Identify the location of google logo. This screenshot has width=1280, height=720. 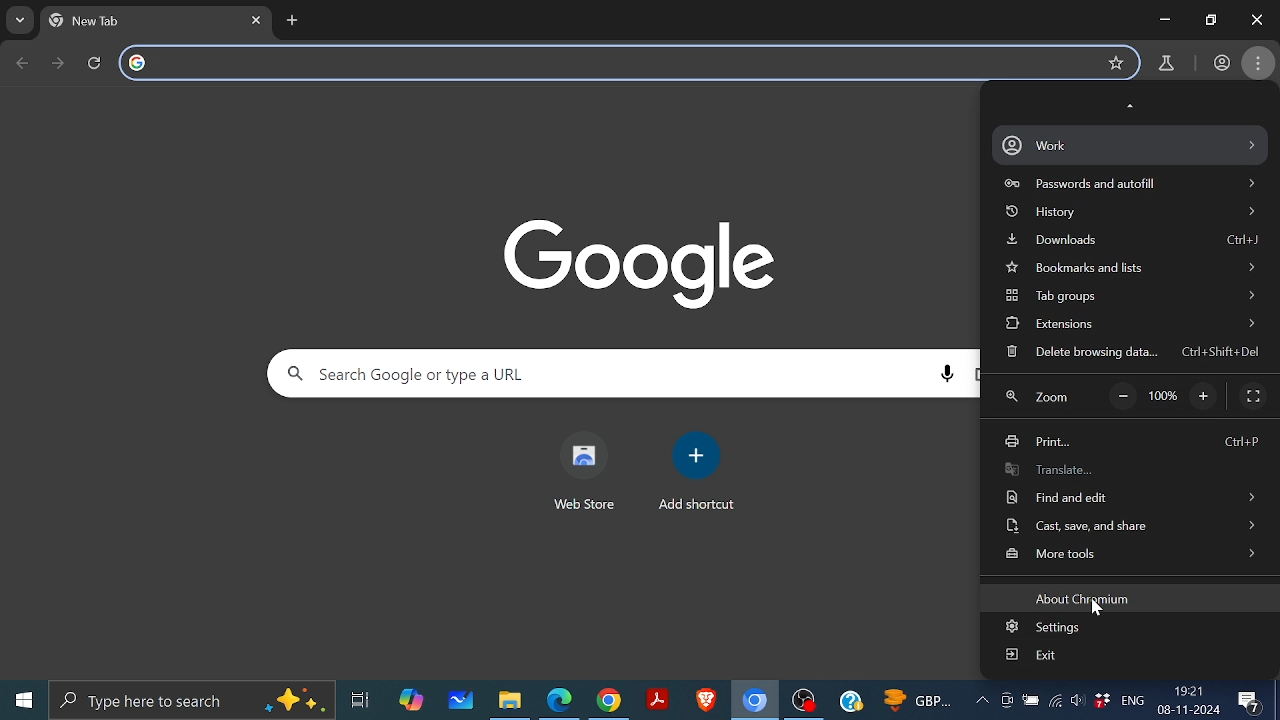
(142, 63).